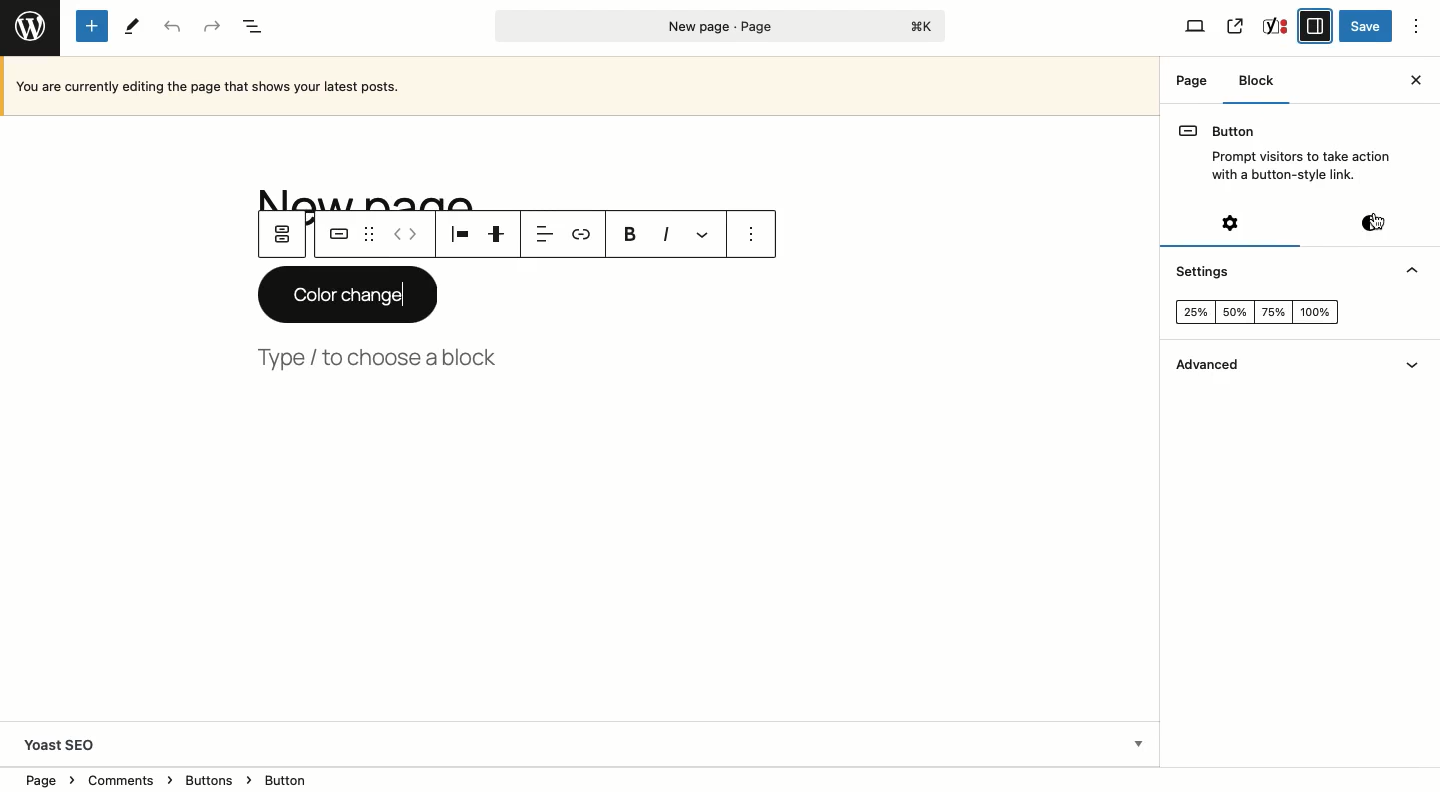 This screenshot has height=792, width=1440. I want to click on Drag, so click(368, 235).